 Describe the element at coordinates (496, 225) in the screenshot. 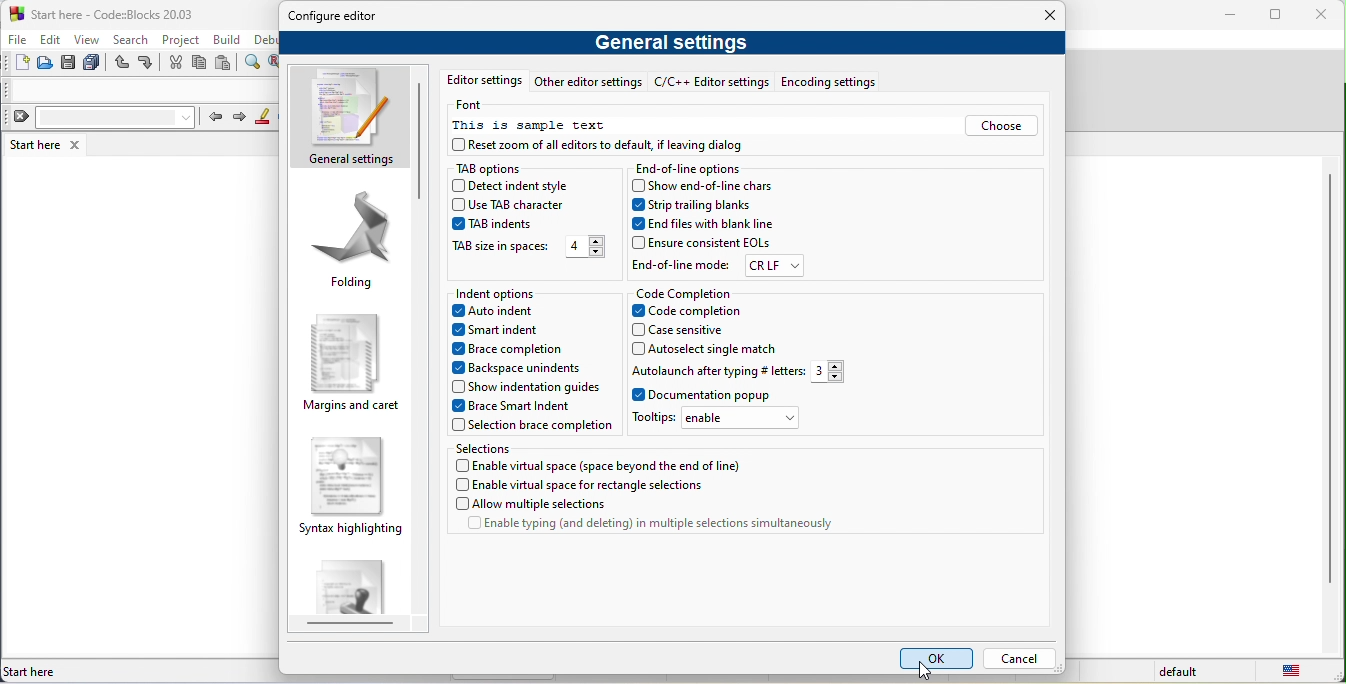

I see `tab indents` at that location.